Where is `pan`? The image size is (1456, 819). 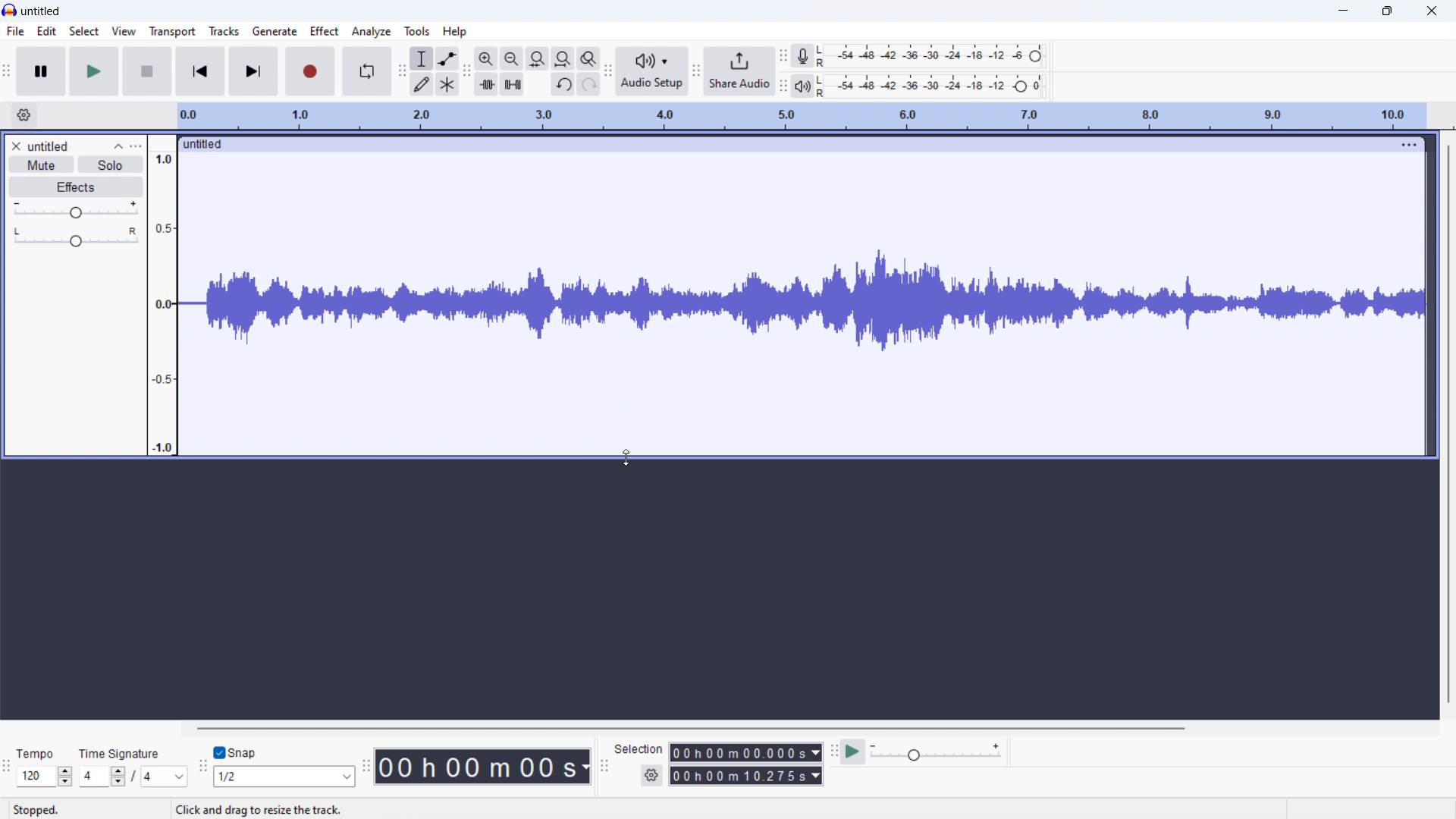 pan is located at coordinates (77, 237).